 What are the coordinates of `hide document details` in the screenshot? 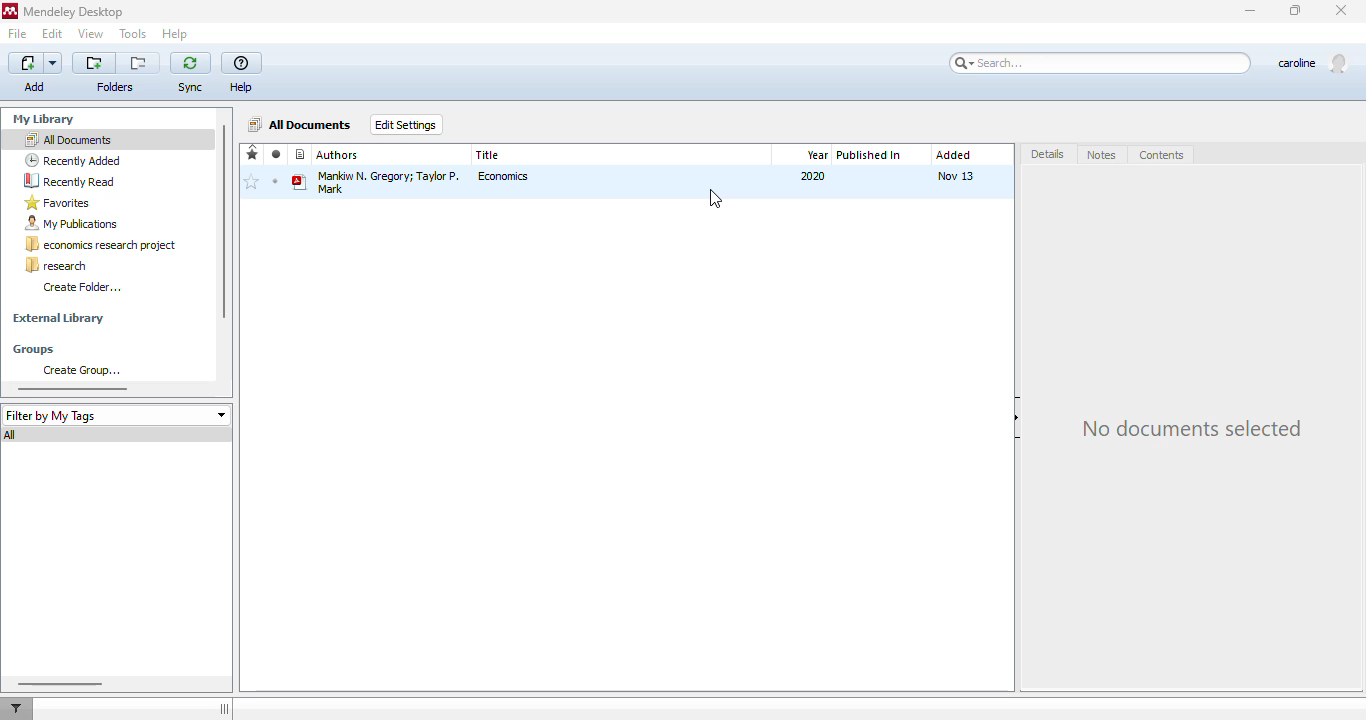 It's located at (1018, 416).